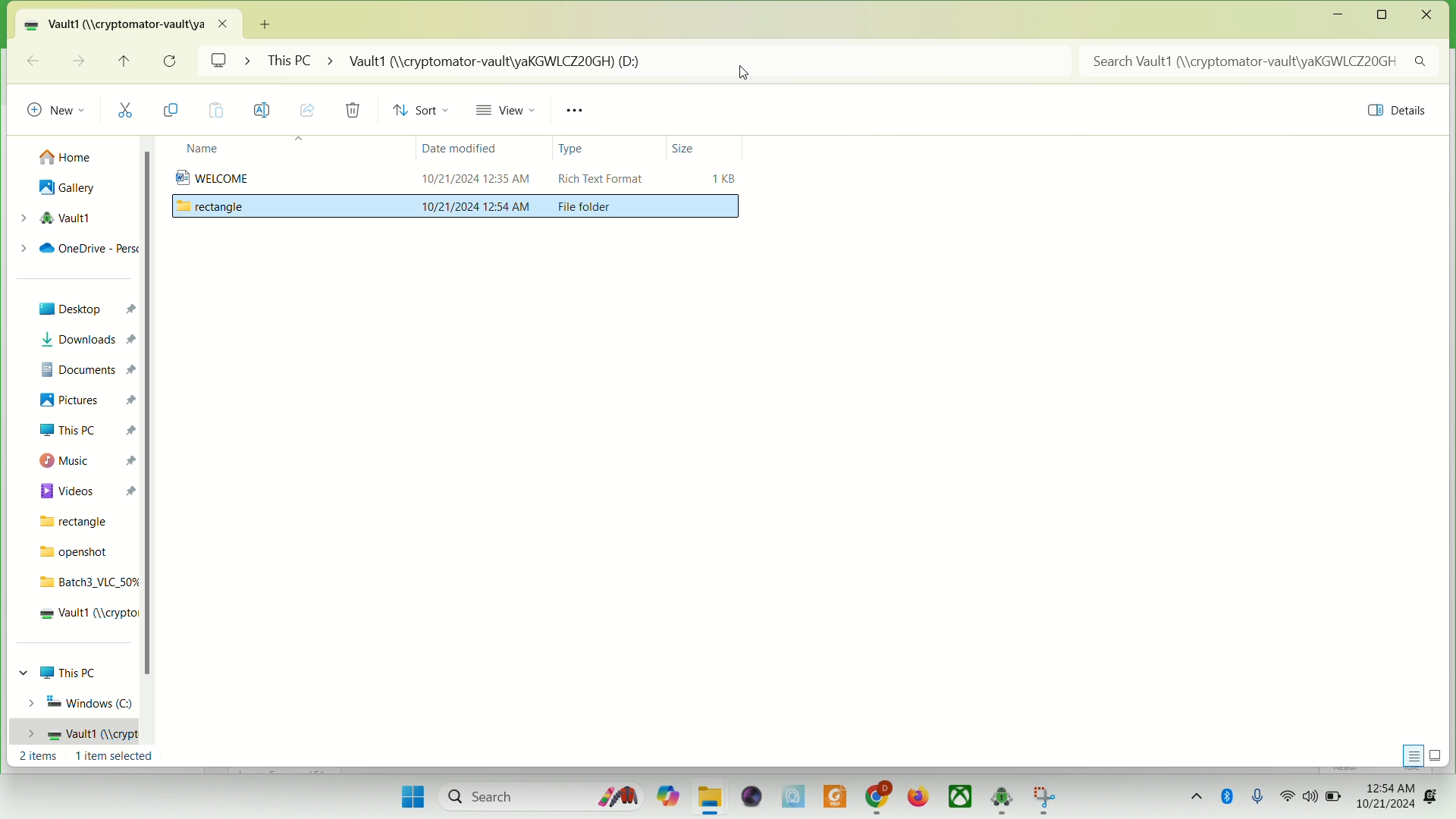 The image size is (1456, 819). What do you see at coordinates (84, 339) in the screenshot?
I see `downloads` at bounding box center [84, 339].